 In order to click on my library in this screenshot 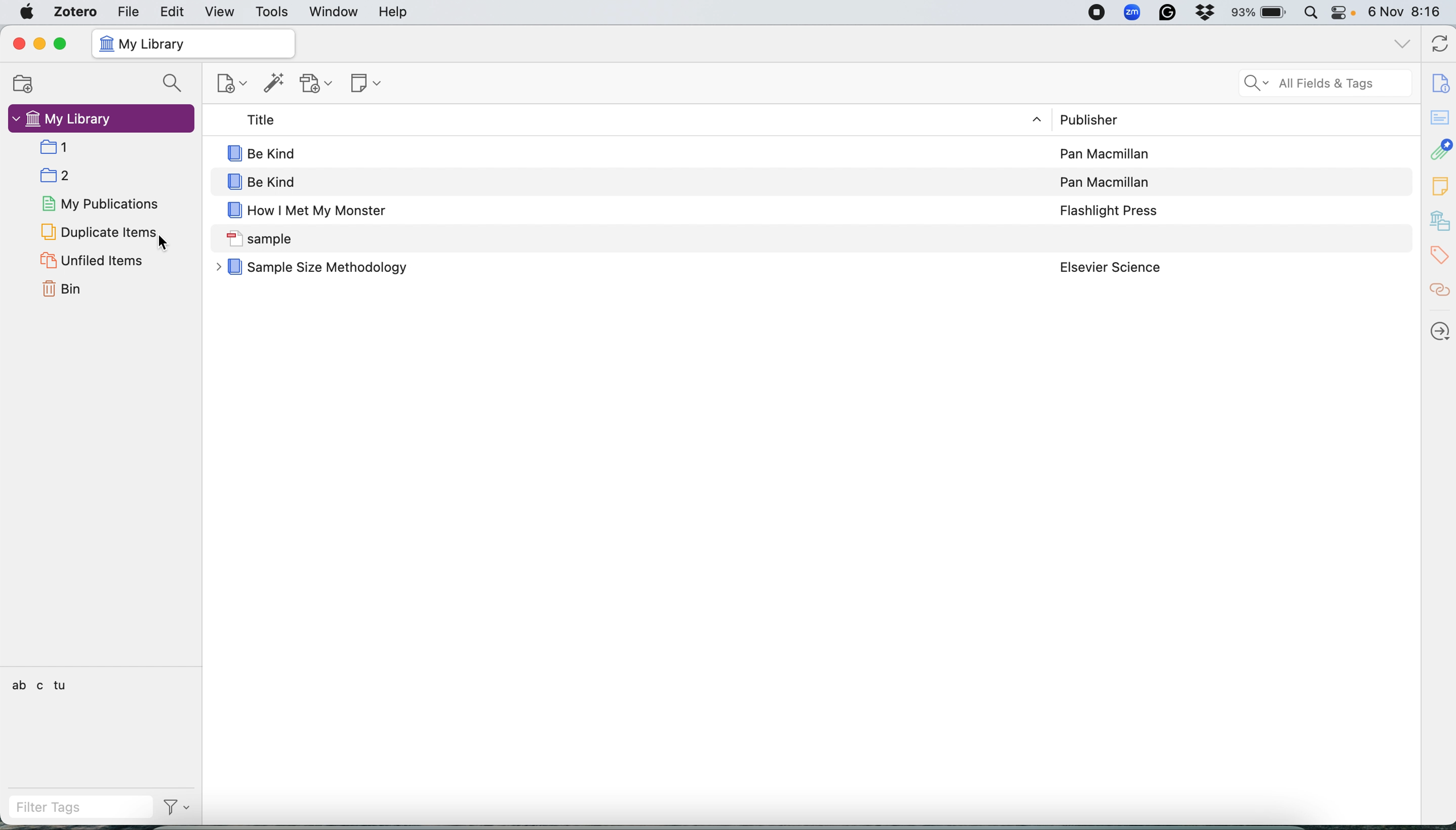, I will do `click(101, 118)`.